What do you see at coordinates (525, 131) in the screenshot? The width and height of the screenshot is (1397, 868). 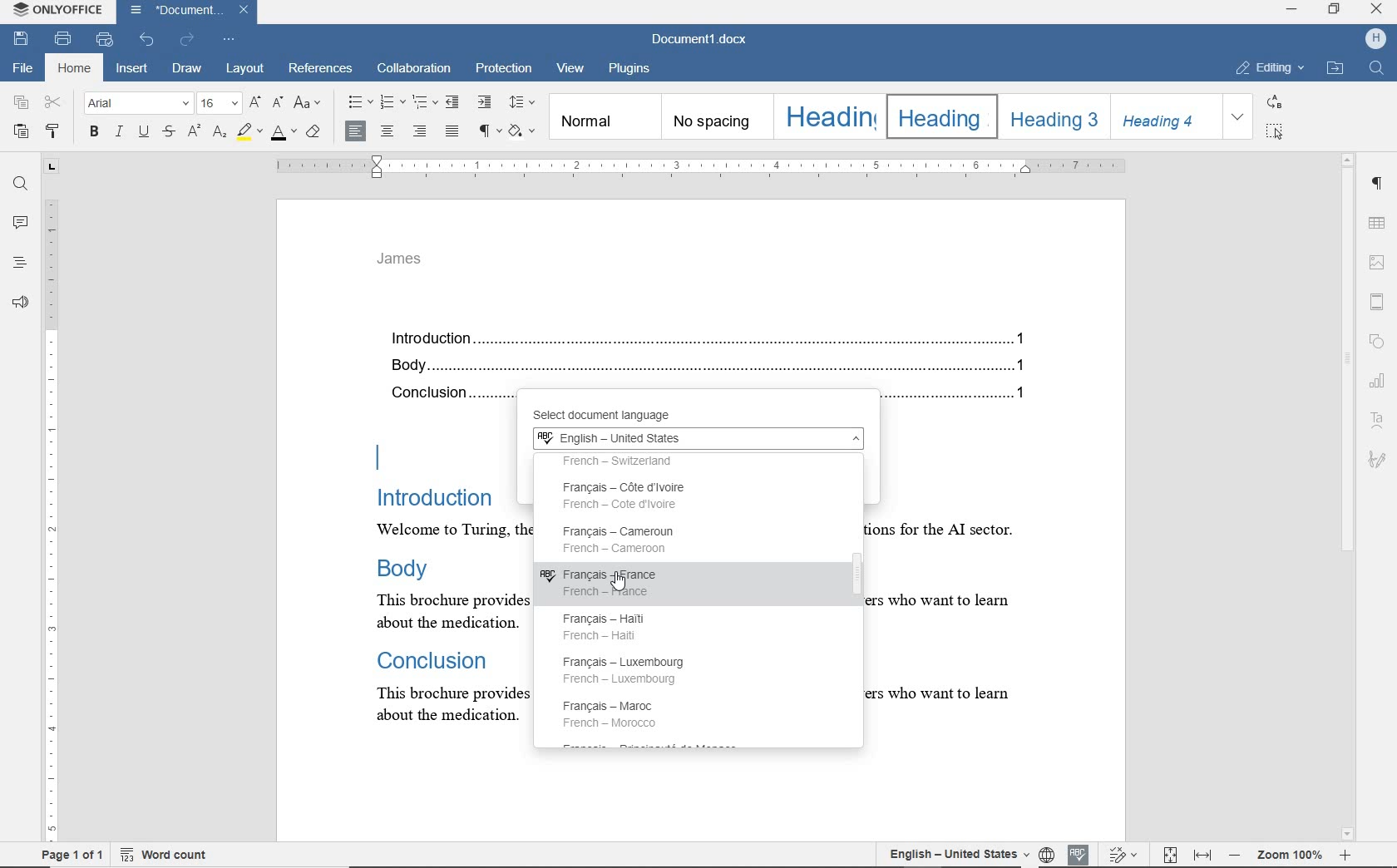 I see `shading` at bounding box center [525, 131].